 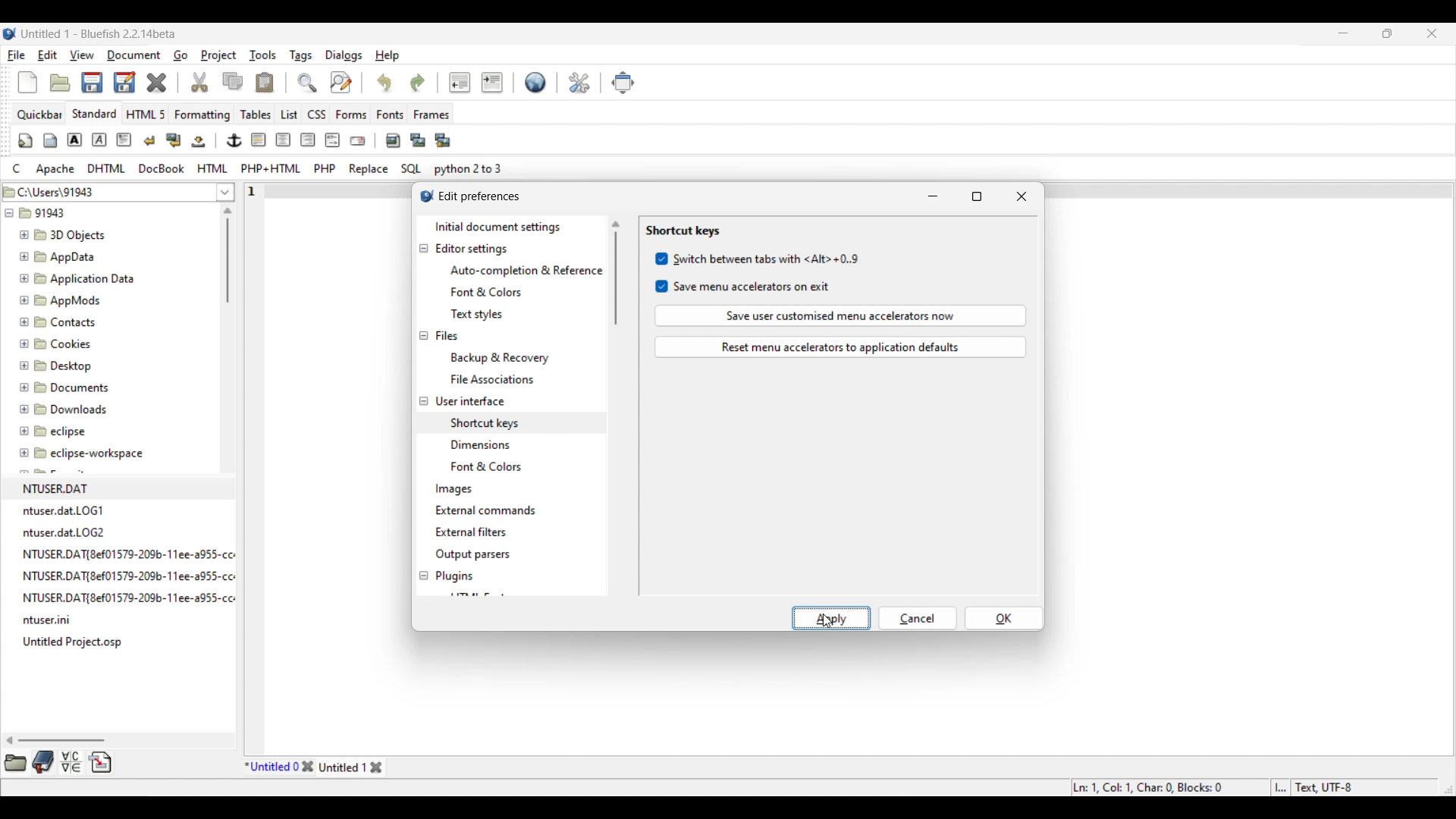 What do you see at coordinates (27, 83) in the screenshot?
I see `New` at bounding box center [27, 83].